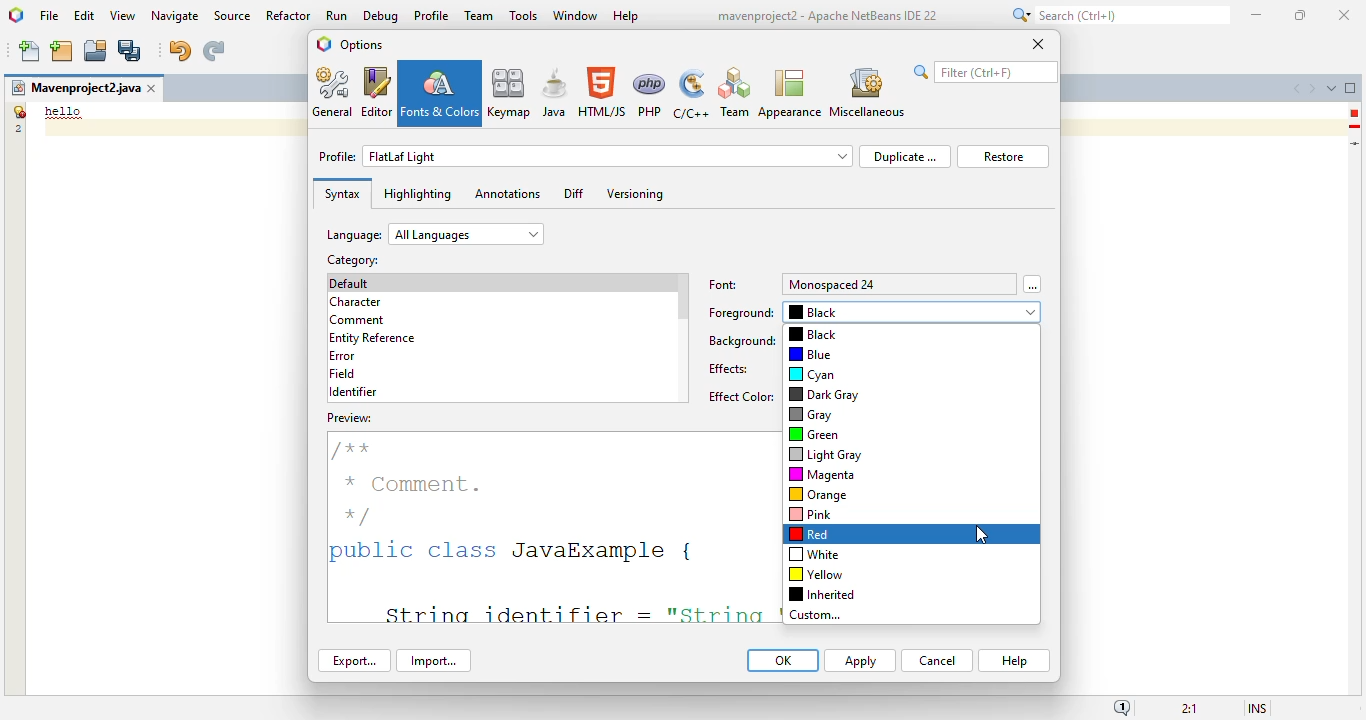  Describe the element at coordinates (904, 156) in the screenshot. I see `duplicate` at that location.